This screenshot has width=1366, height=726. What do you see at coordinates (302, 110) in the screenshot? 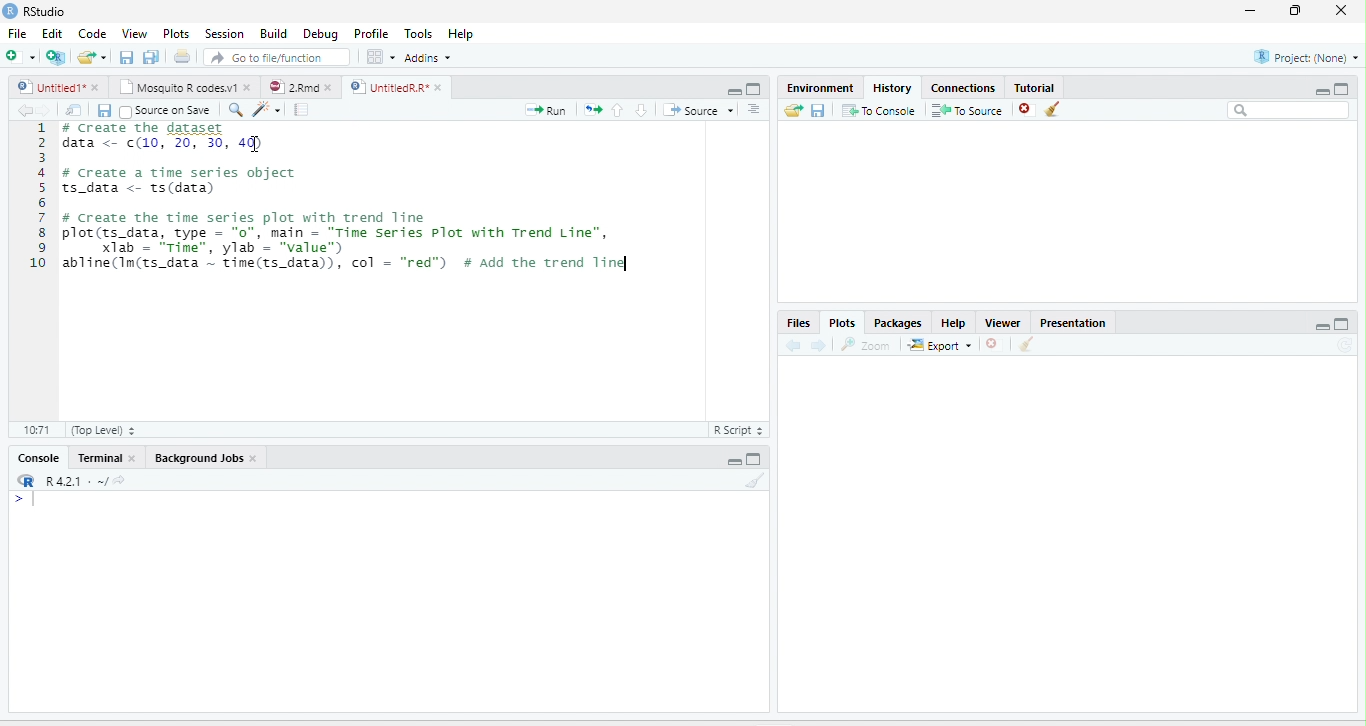
I see `Compile Report` at bounding box center [302, 110].